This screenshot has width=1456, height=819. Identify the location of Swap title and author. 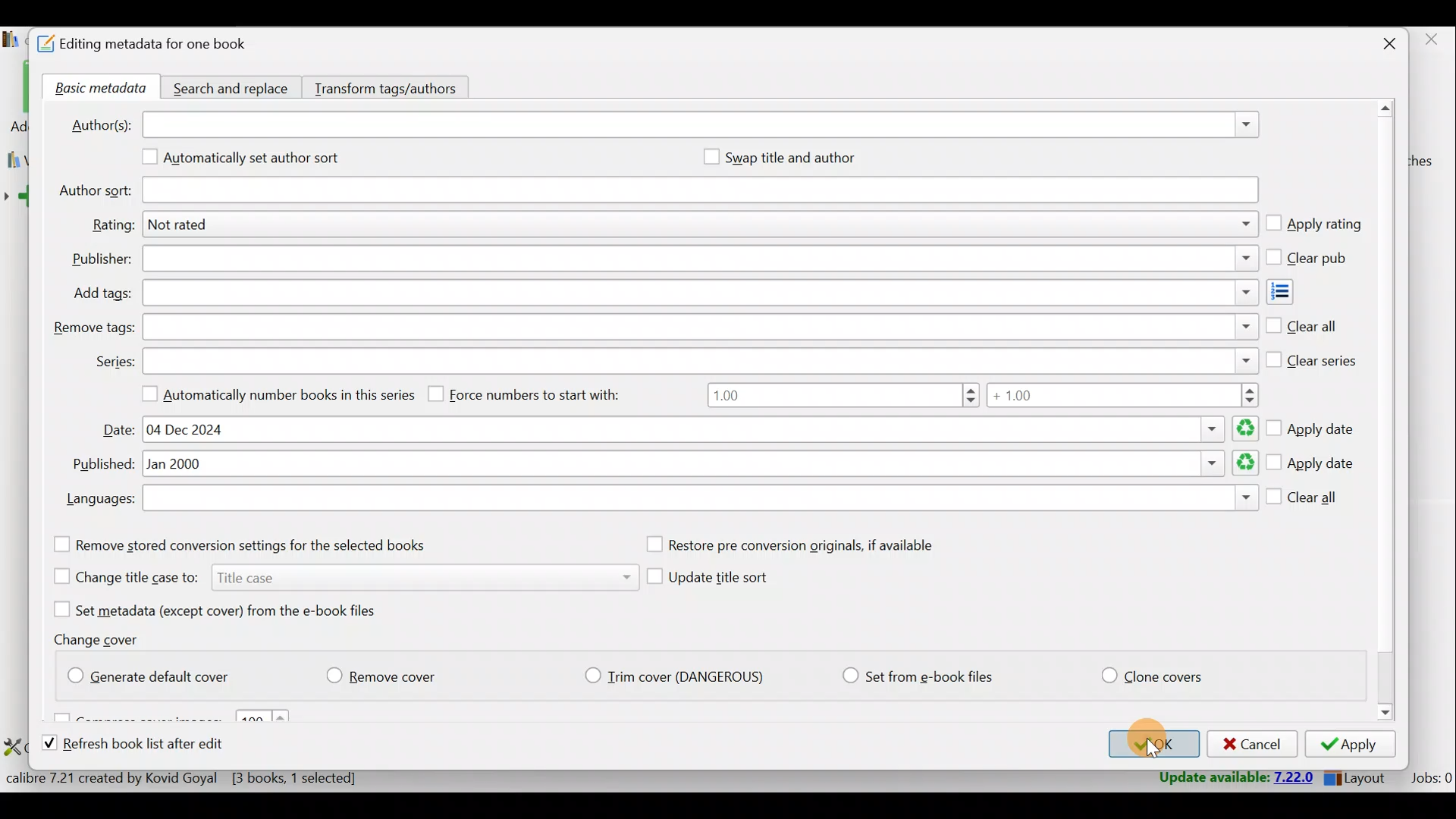
(808, 157).